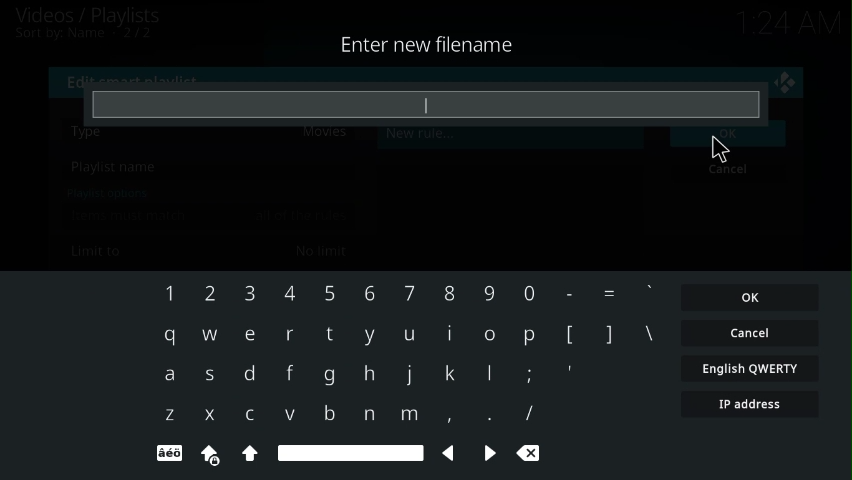  Describe the element at coordinates (289, 413) in the screenshot. I see `v` at that location.